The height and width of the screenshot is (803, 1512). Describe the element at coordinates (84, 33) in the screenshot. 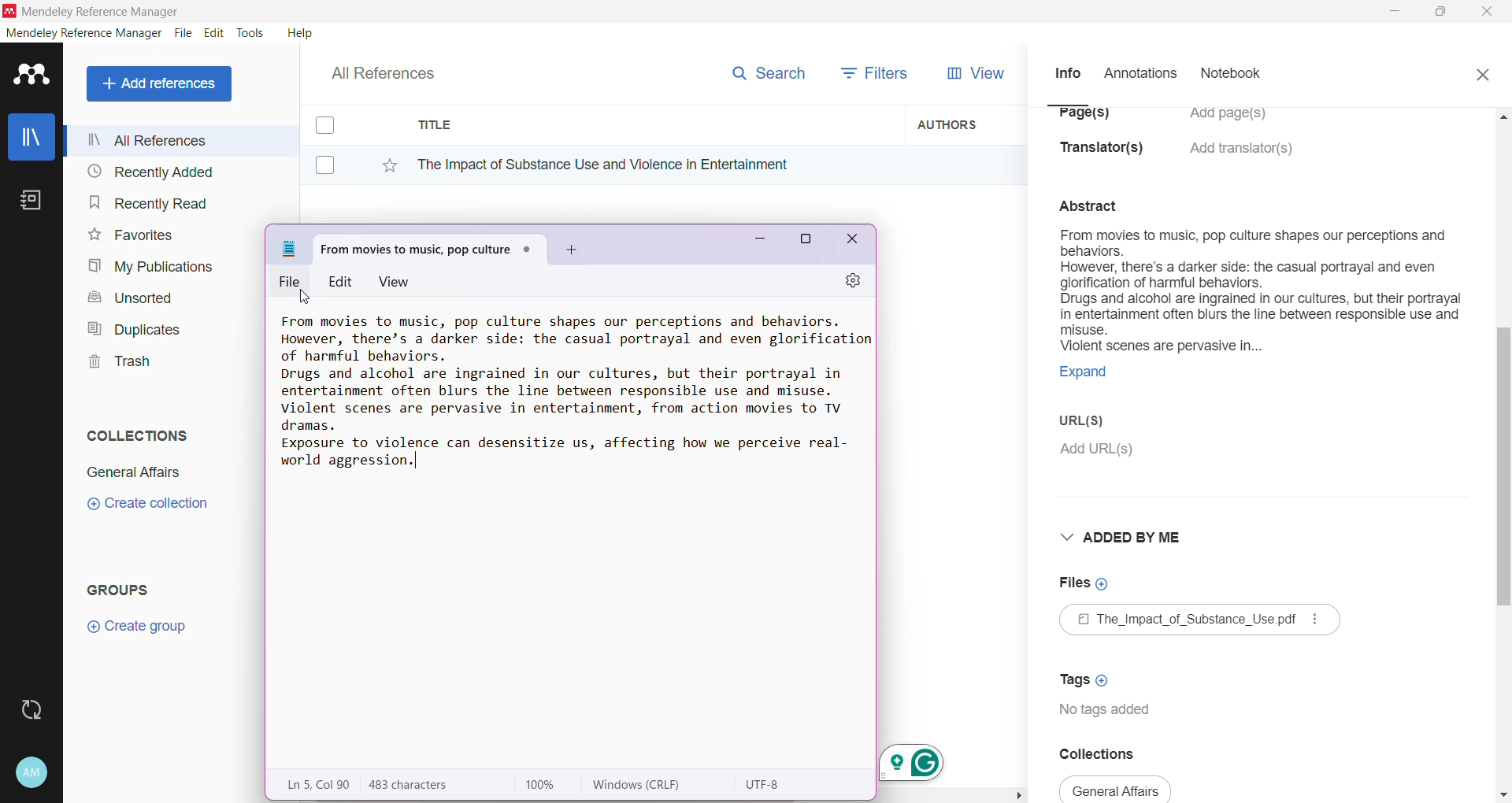

I see `Mendeley Reference Manager` at that location.